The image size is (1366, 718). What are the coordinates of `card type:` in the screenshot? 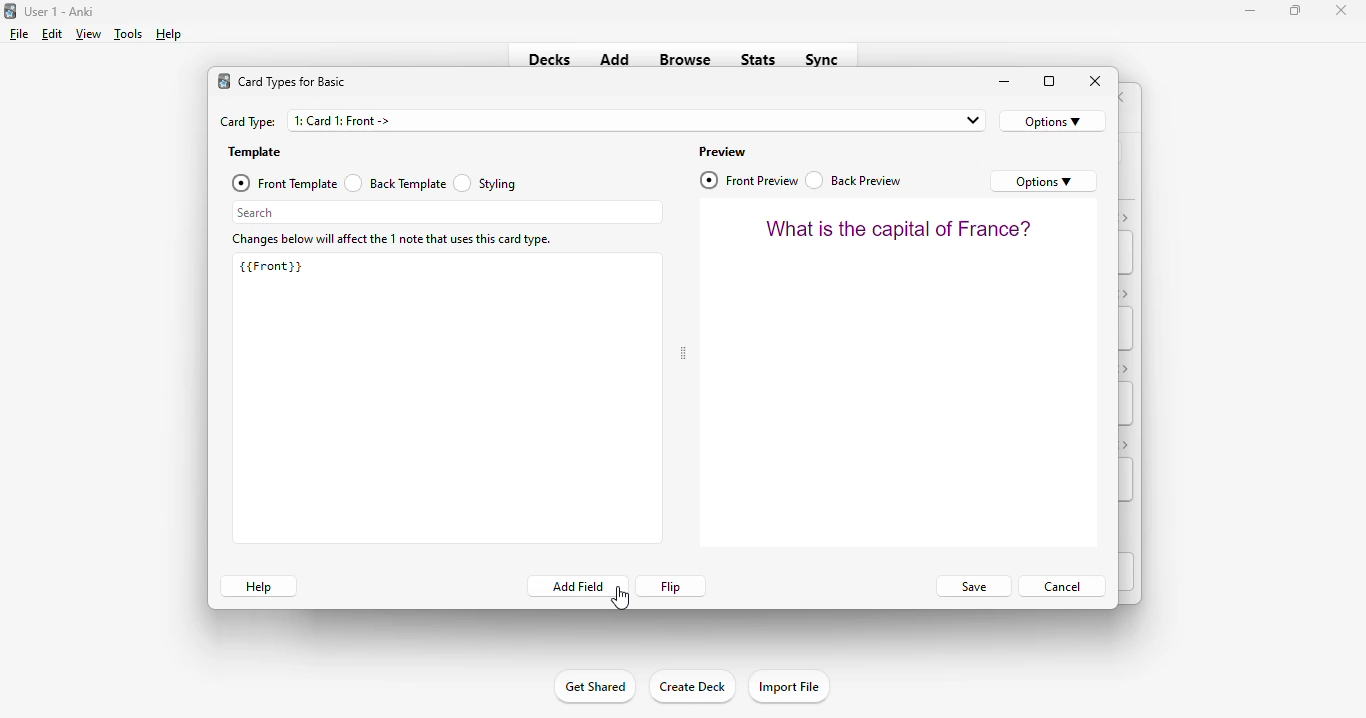 It's located at (248, 122).